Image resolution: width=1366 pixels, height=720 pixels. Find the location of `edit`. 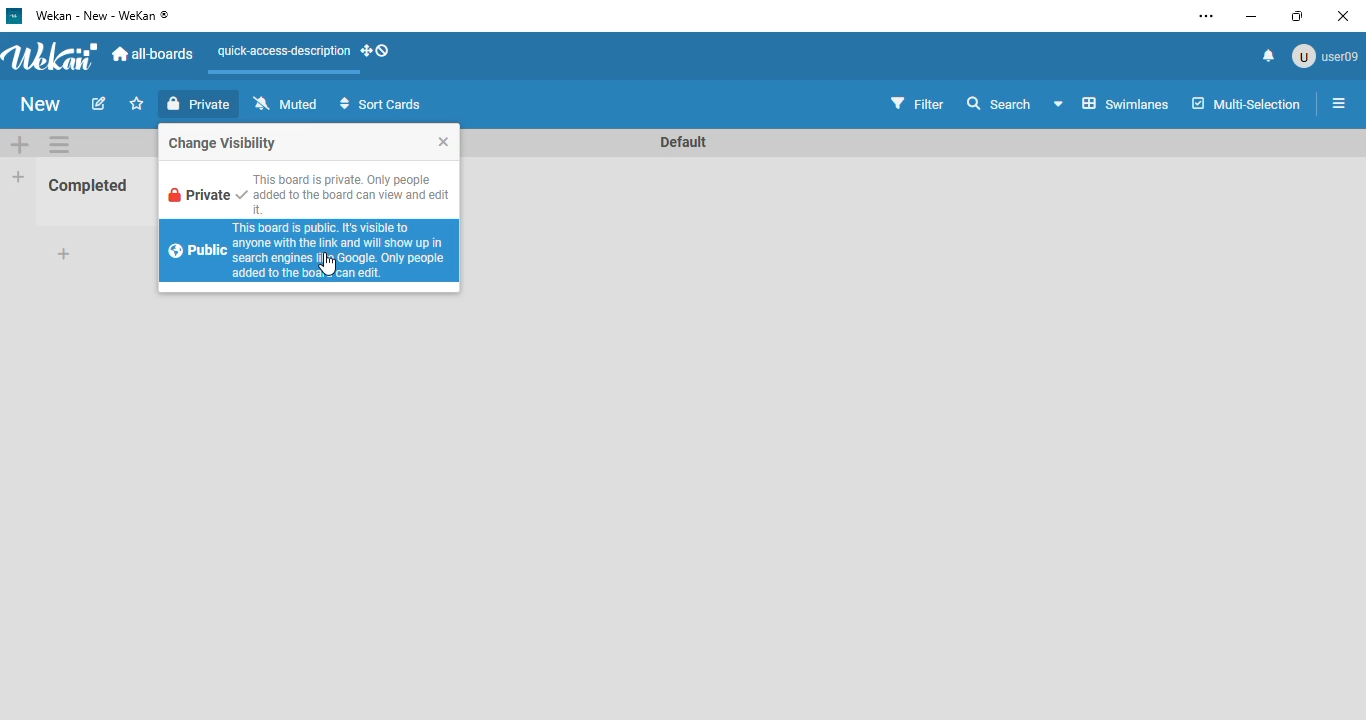

edit is located at coordinates (98, 103).